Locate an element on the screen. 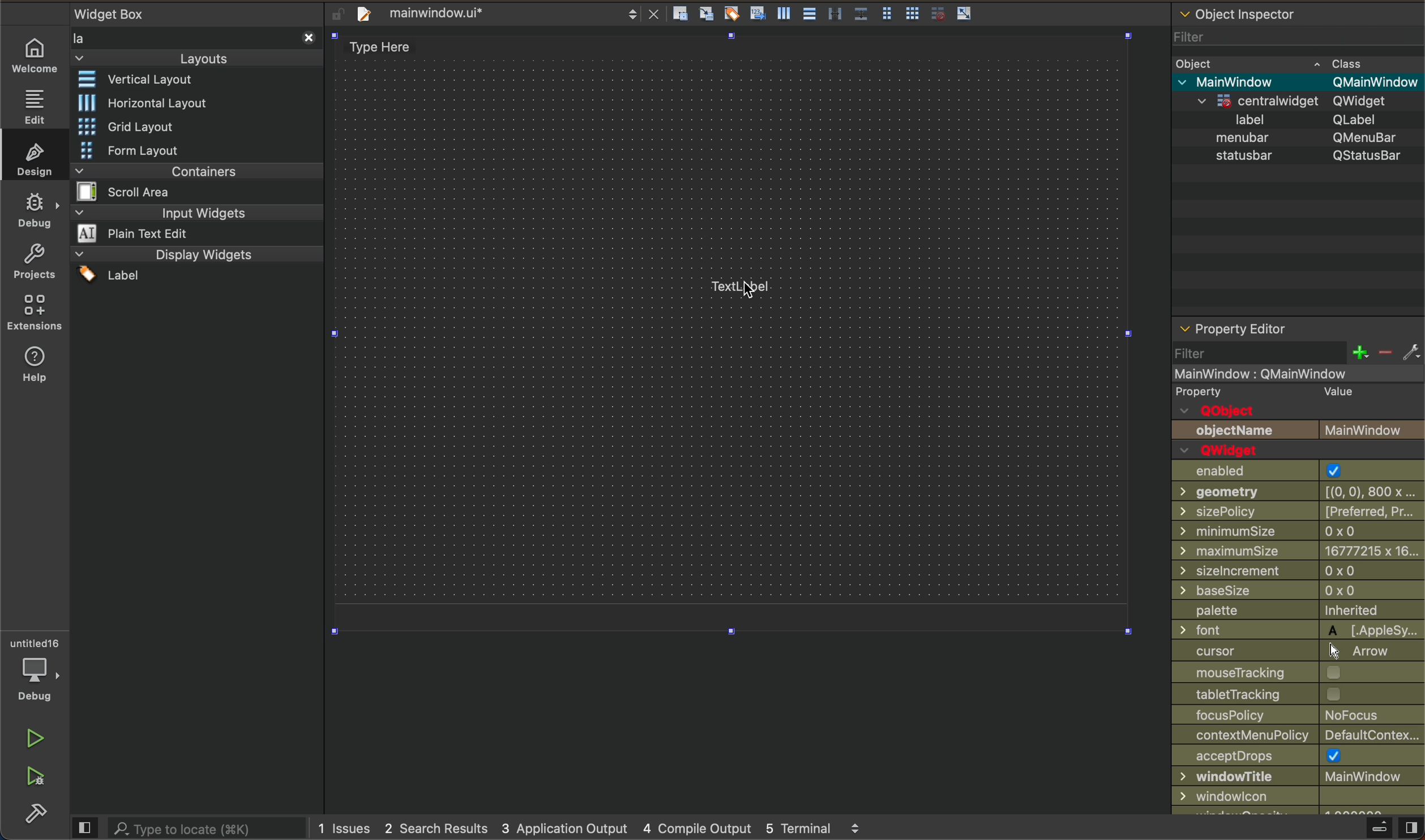  menbar is located at coordinates (1304, 136).